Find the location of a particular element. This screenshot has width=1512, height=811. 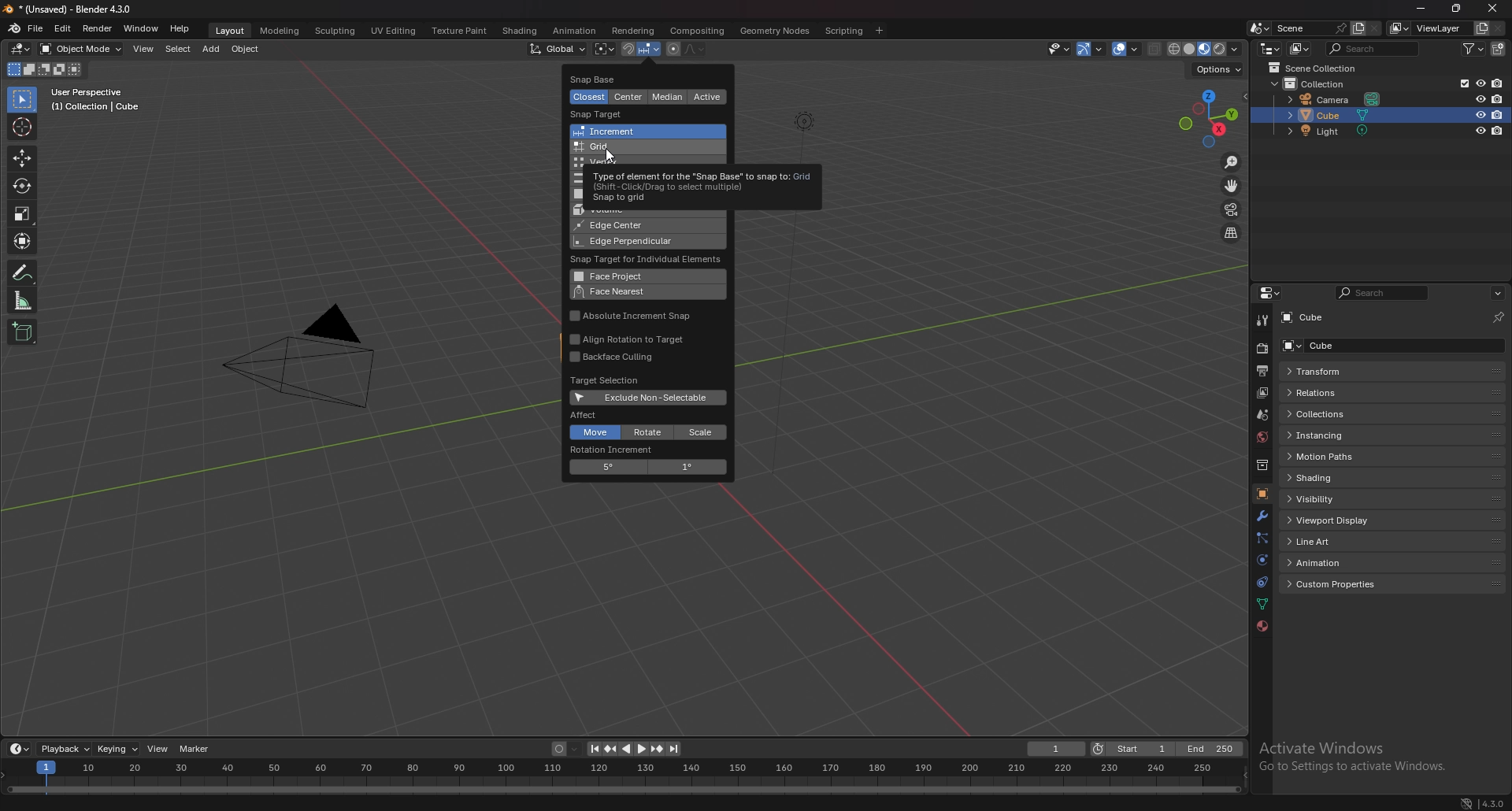

backface culling is located at coordinates (626, 357).